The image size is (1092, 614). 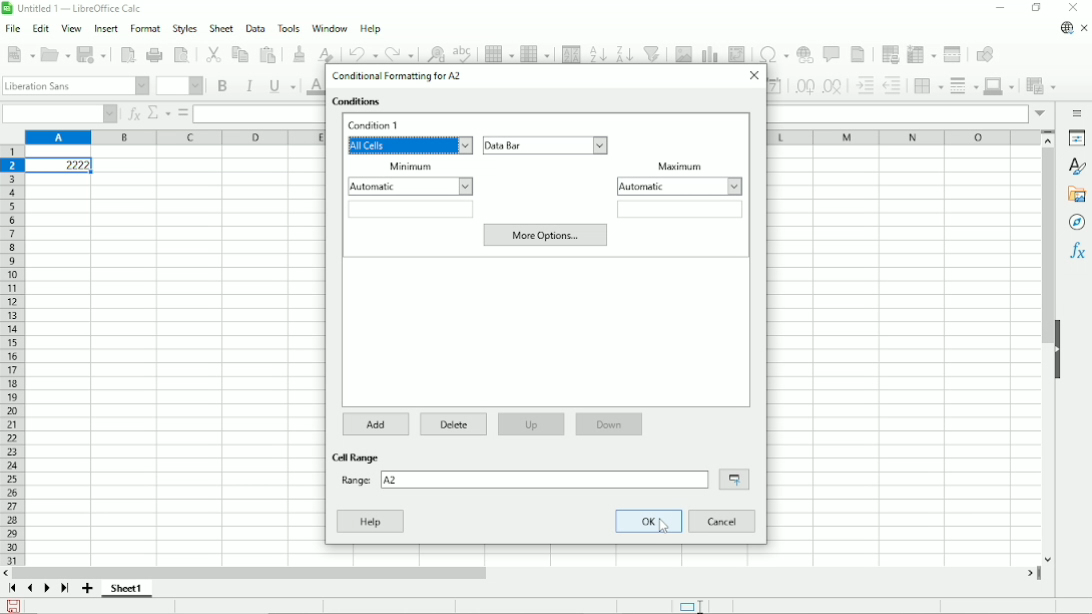 What do you see at coordinates (738, 53) in the screenshot?
I see `Insert or edit pivot table` at bounding box center [738, 53].